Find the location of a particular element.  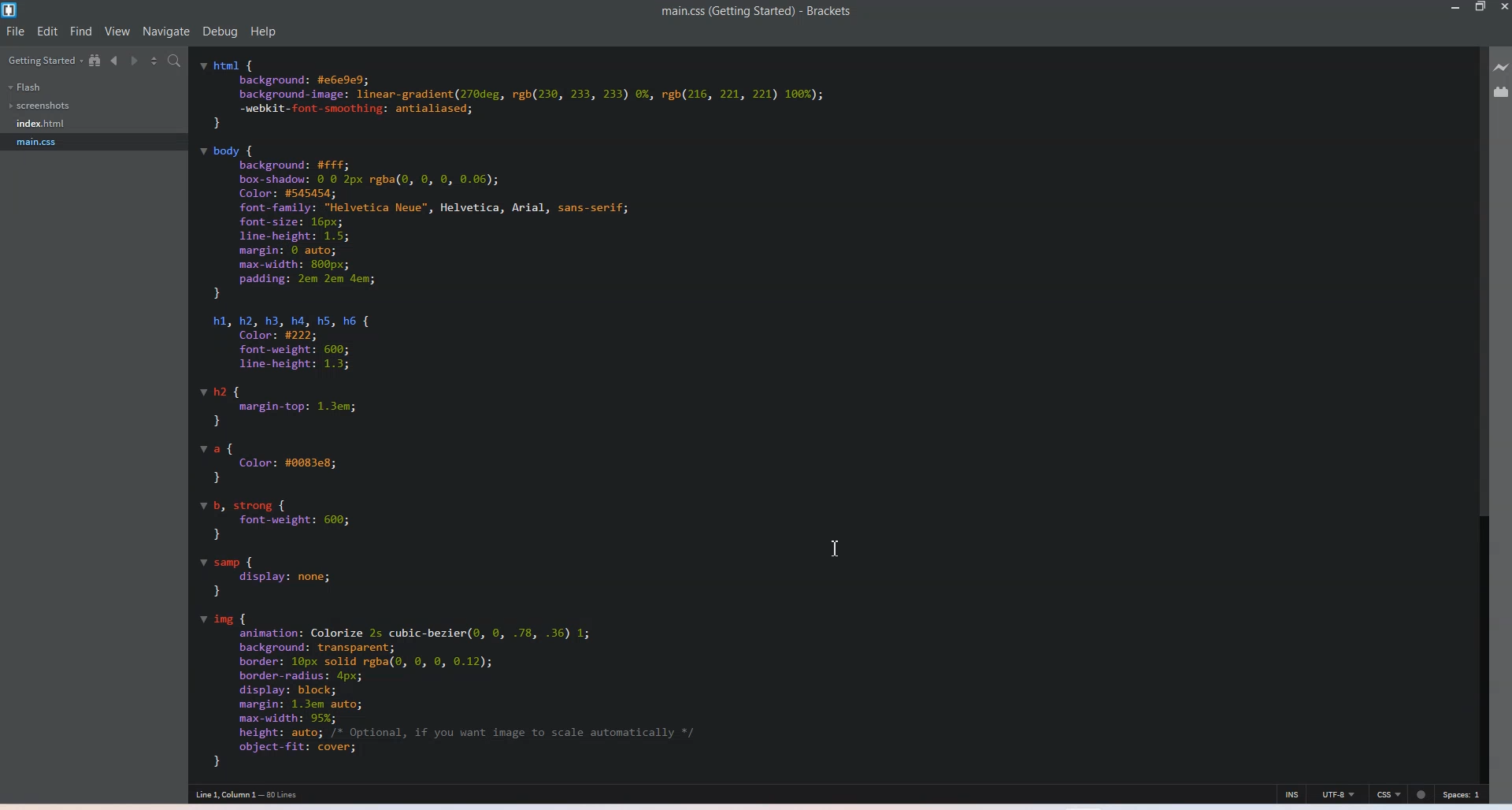

getting started is located at coordinates (43, 61).